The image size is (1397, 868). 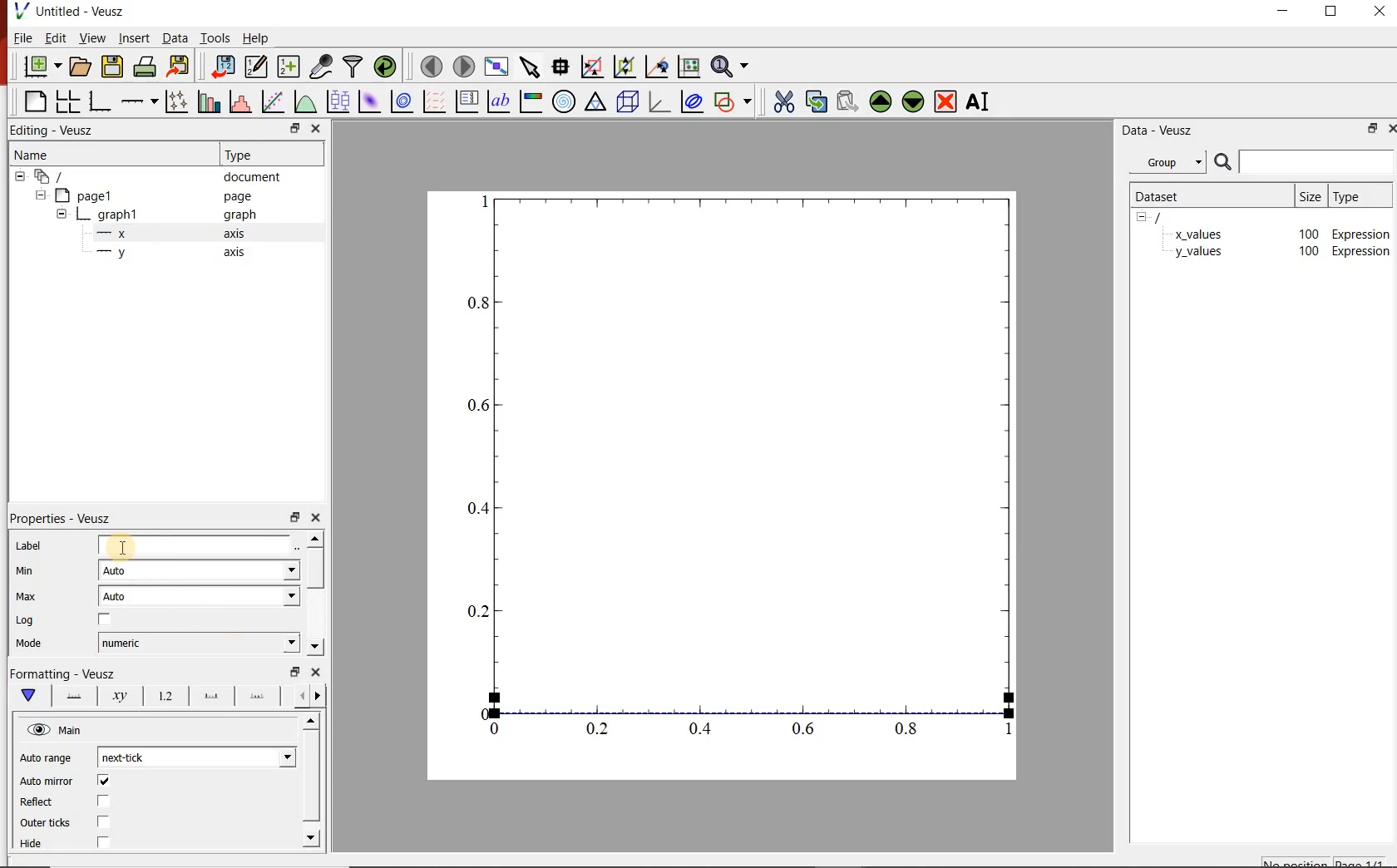 I want to click on close, so click(x=317, y=128).